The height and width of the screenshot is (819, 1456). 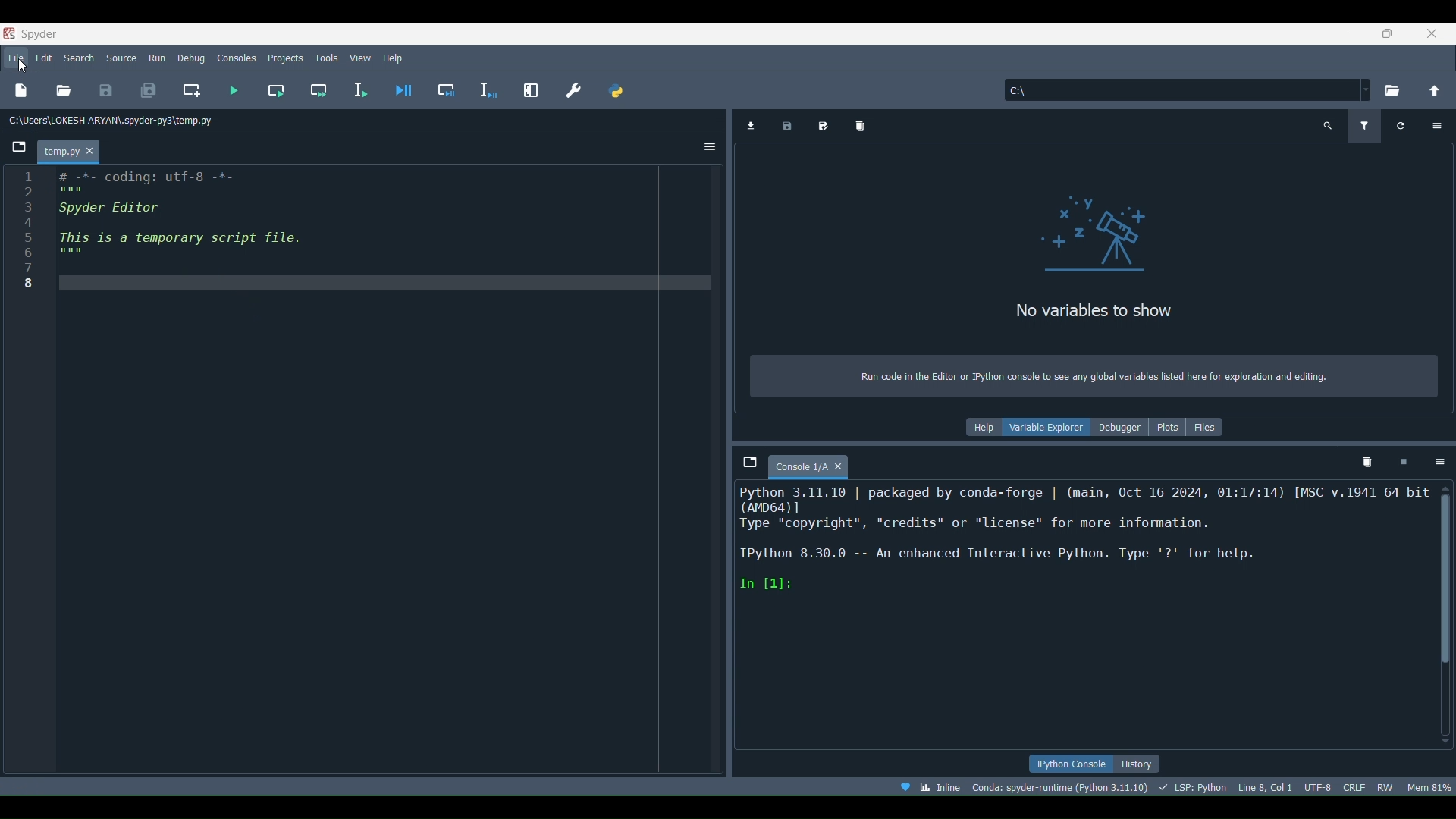 I want to click on File permissions, so click(x=1384, y=786).